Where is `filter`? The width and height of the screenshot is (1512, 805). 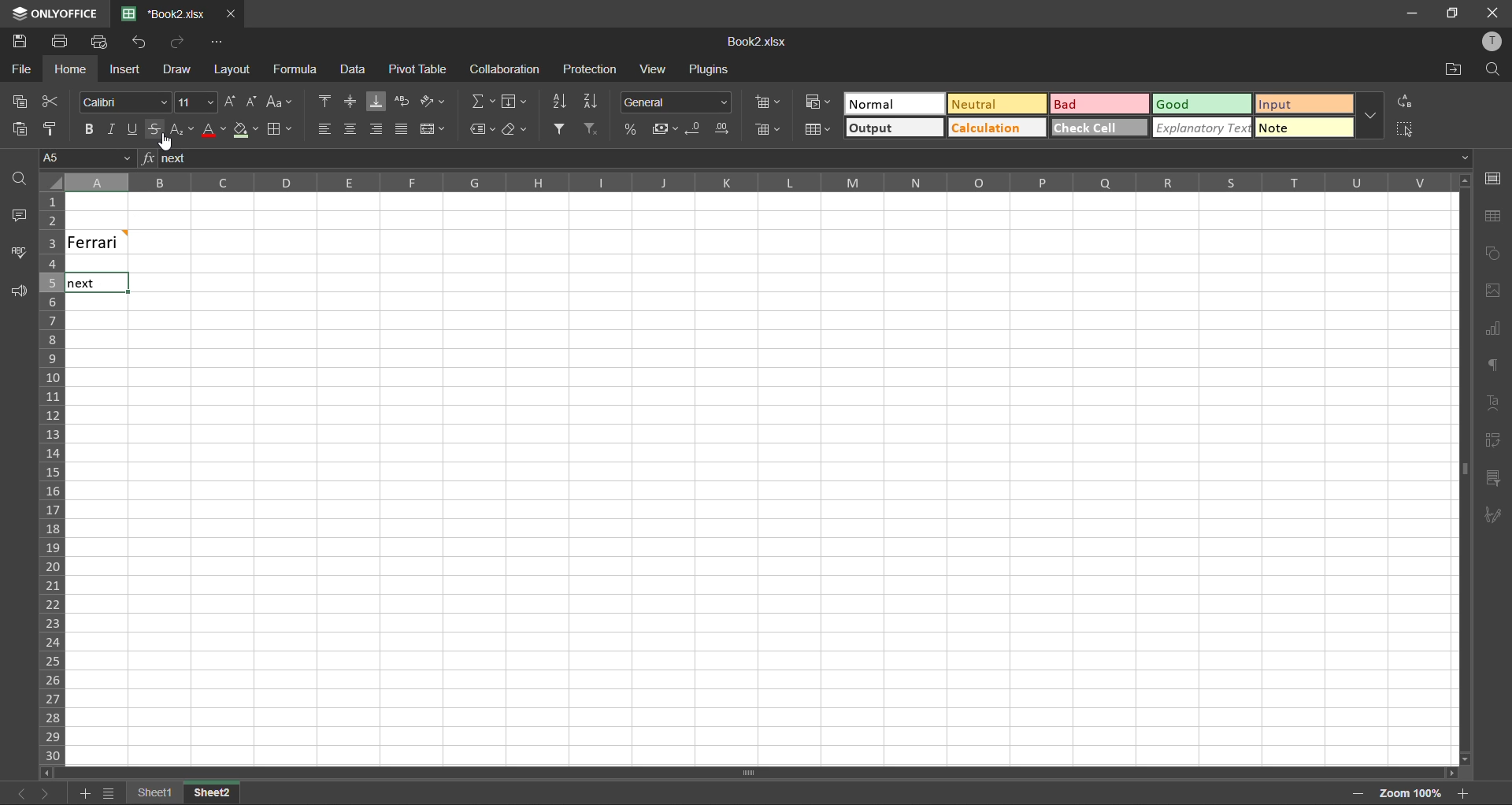
filter is located at coordinates (560, 130).